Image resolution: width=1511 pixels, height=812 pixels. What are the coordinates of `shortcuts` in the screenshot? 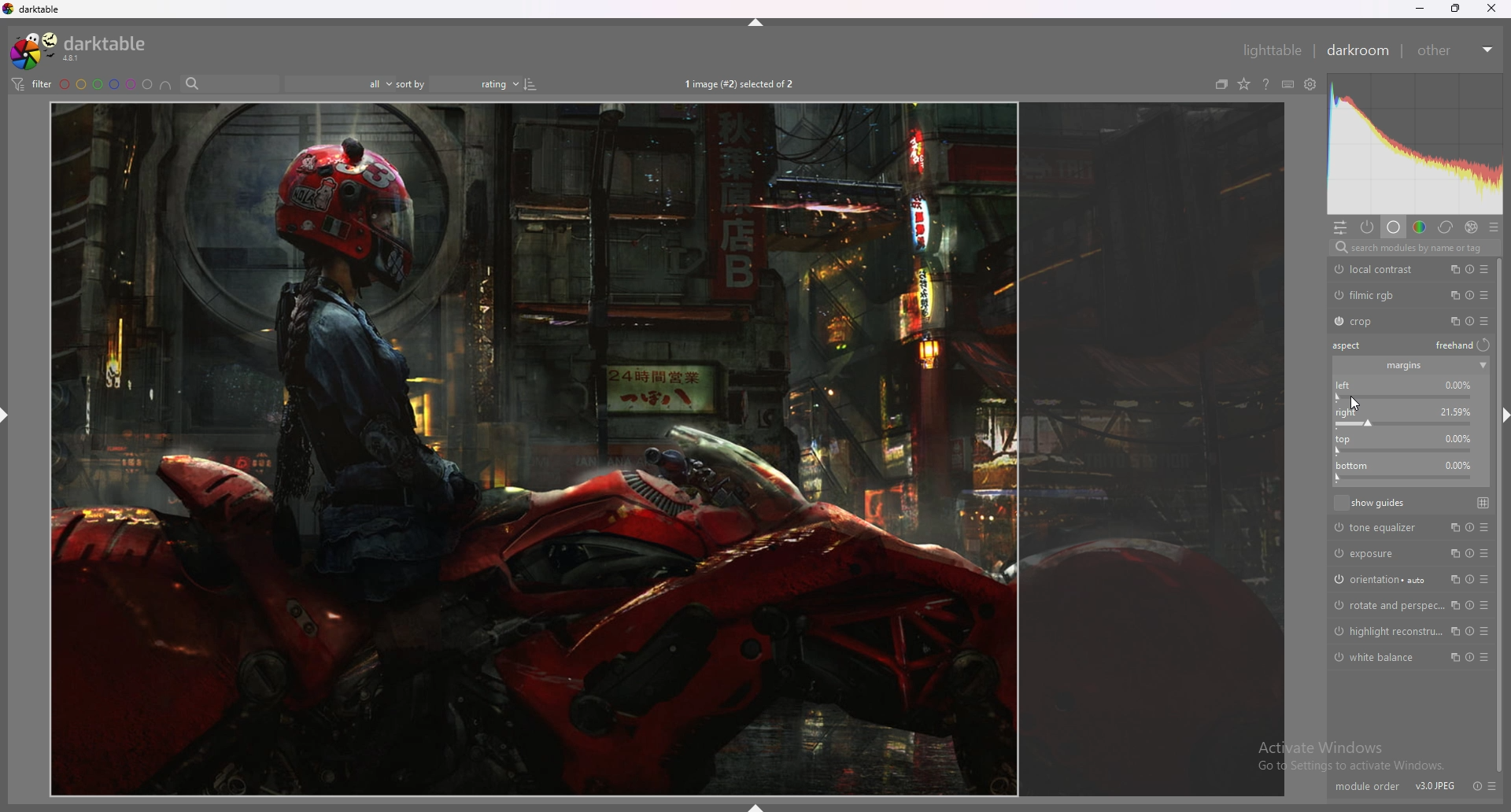 It's located at (1288, 84).